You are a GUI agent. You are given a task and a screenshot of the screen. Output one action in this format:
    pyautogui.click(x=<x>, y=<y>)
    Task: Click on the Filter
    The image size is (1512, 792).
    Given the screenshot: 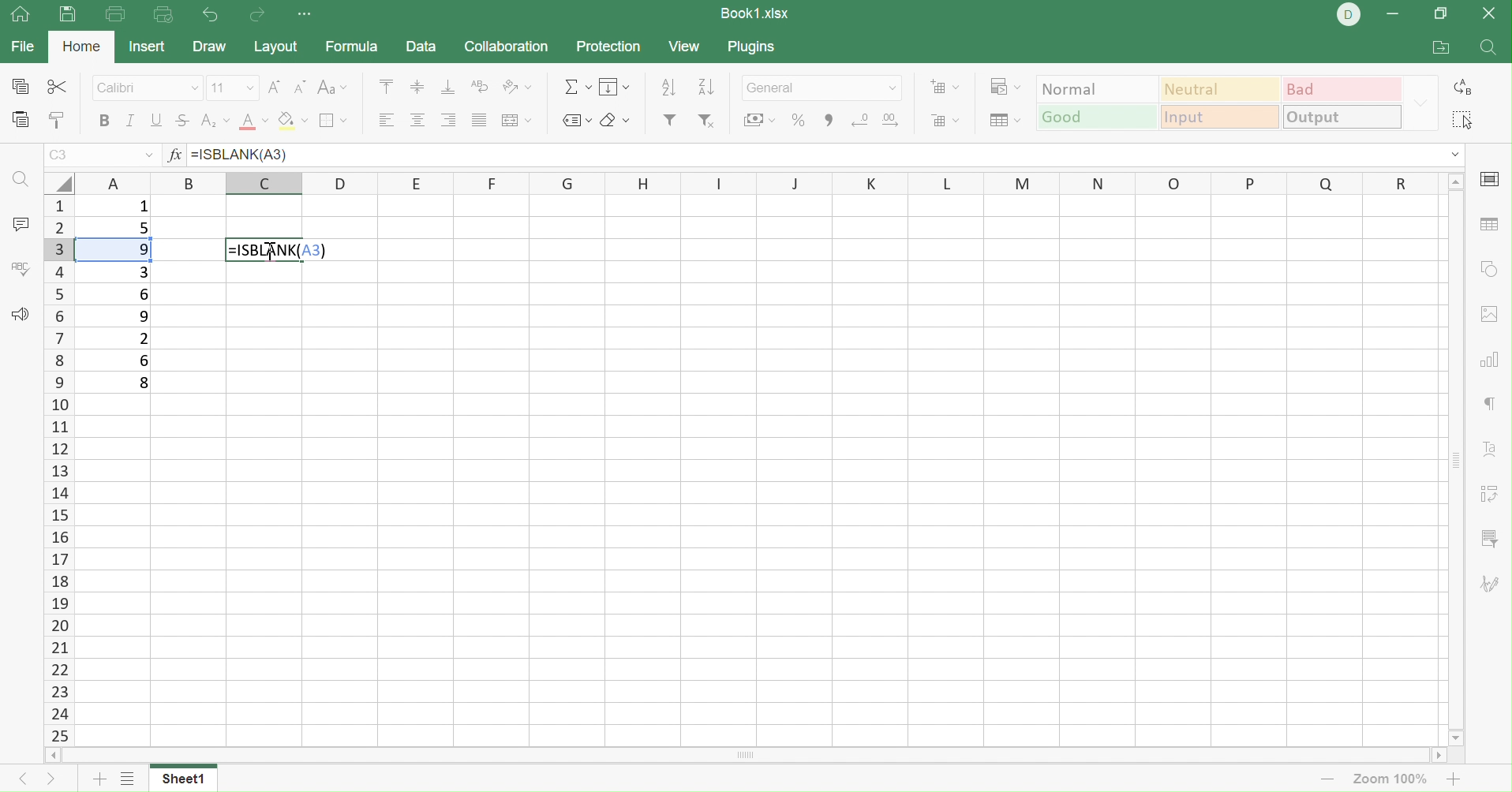 What is the action you would take?
    pyautogui.click(x=670, y=119)
    